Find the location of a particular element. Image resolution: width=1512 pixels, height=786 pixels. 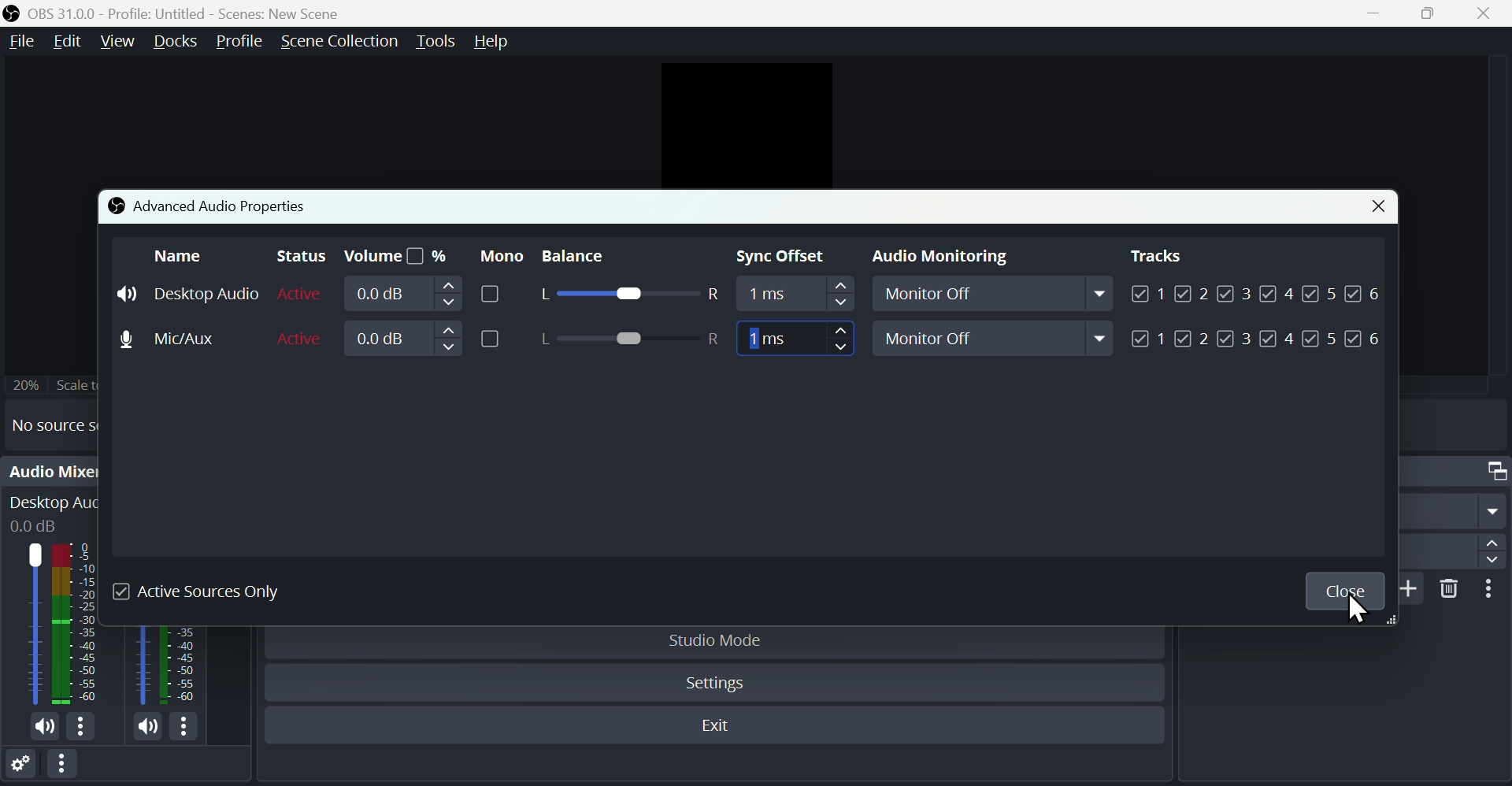

Studio mode is located at coordinates (717, 640).